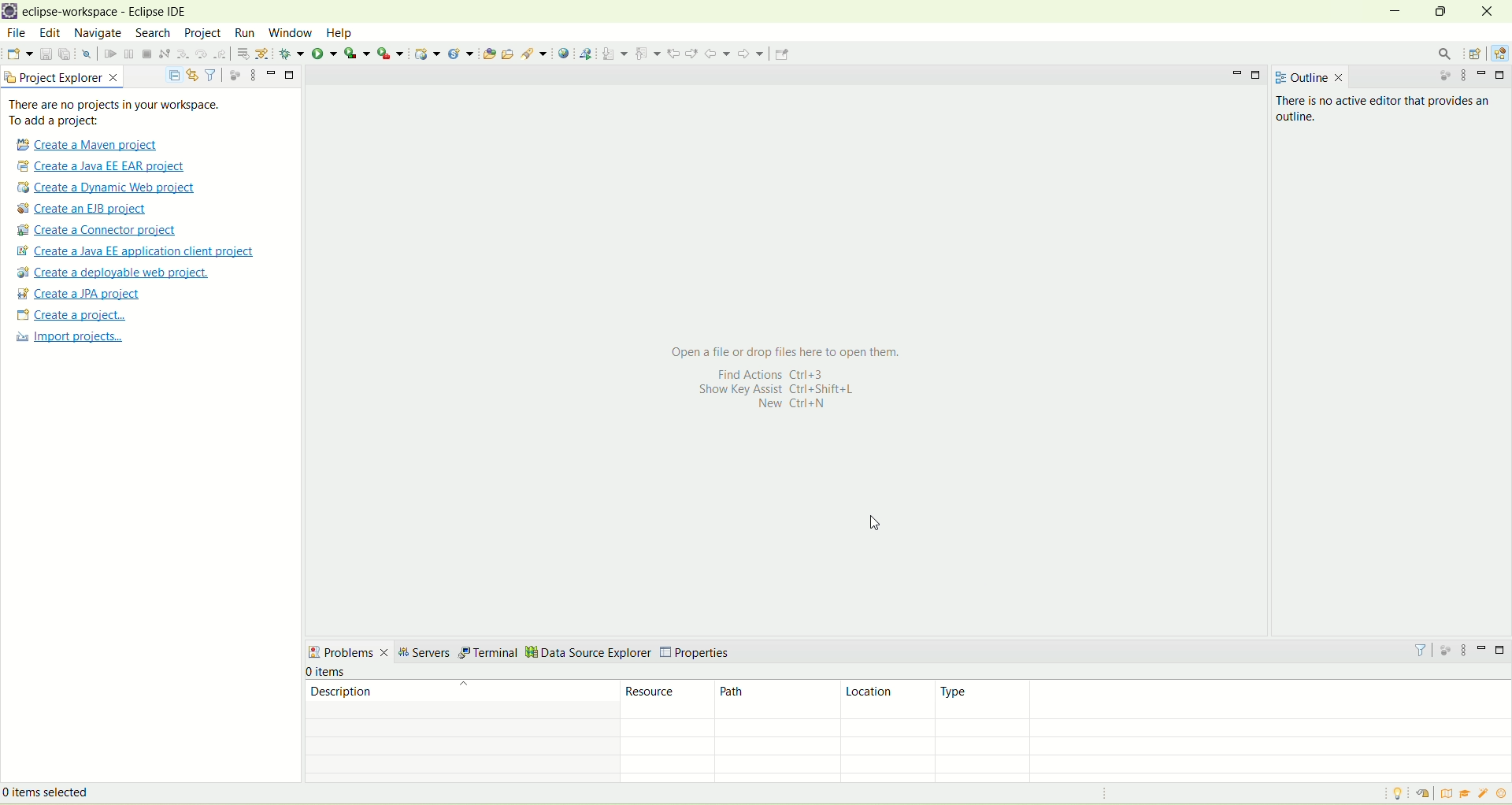 This screenshot has height=805, width=1512. I want to click on minimize, so click(1482, 647).